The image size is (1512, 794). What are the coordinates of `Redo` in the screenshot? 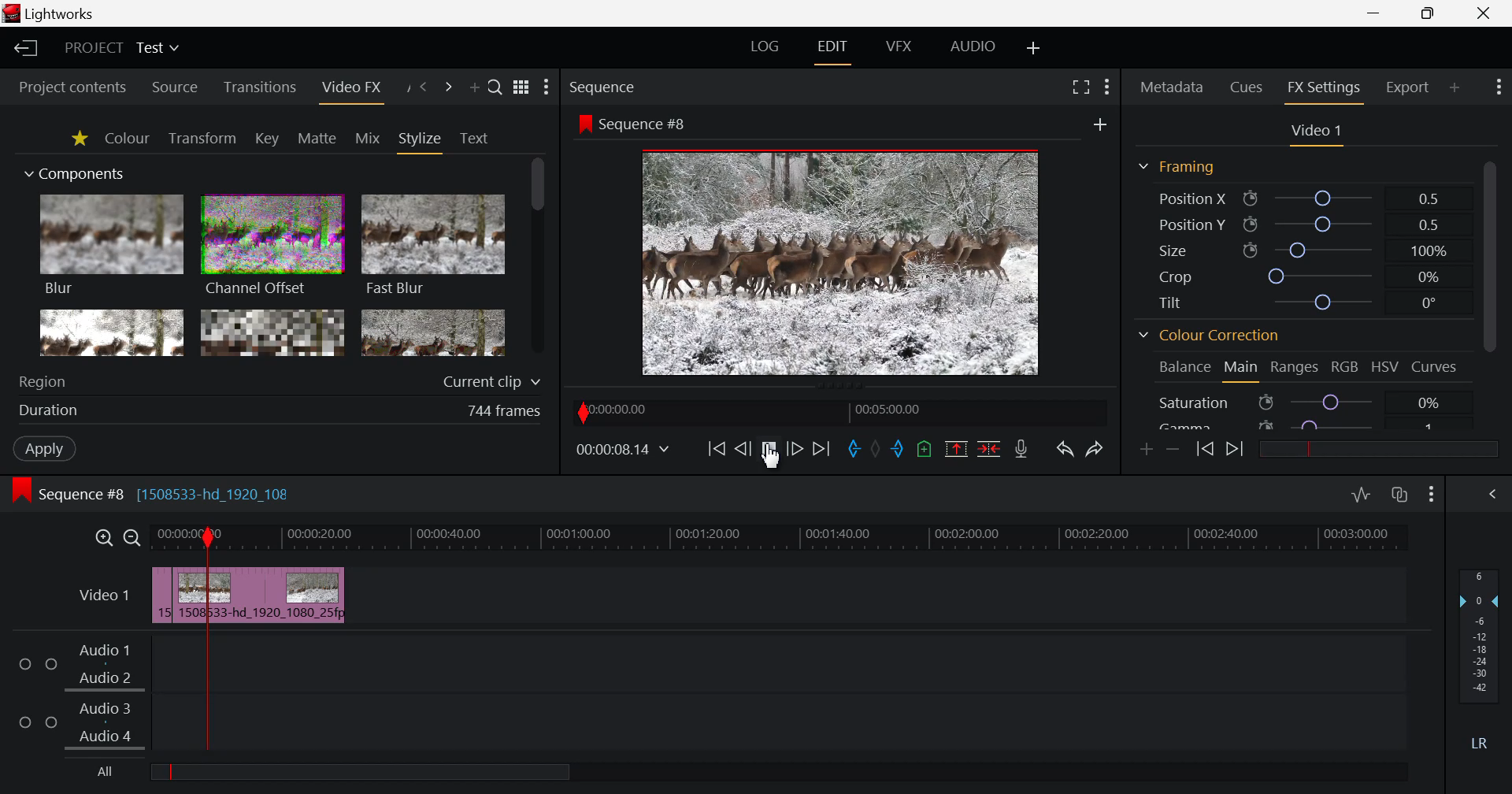 It's located at (1093, 451).